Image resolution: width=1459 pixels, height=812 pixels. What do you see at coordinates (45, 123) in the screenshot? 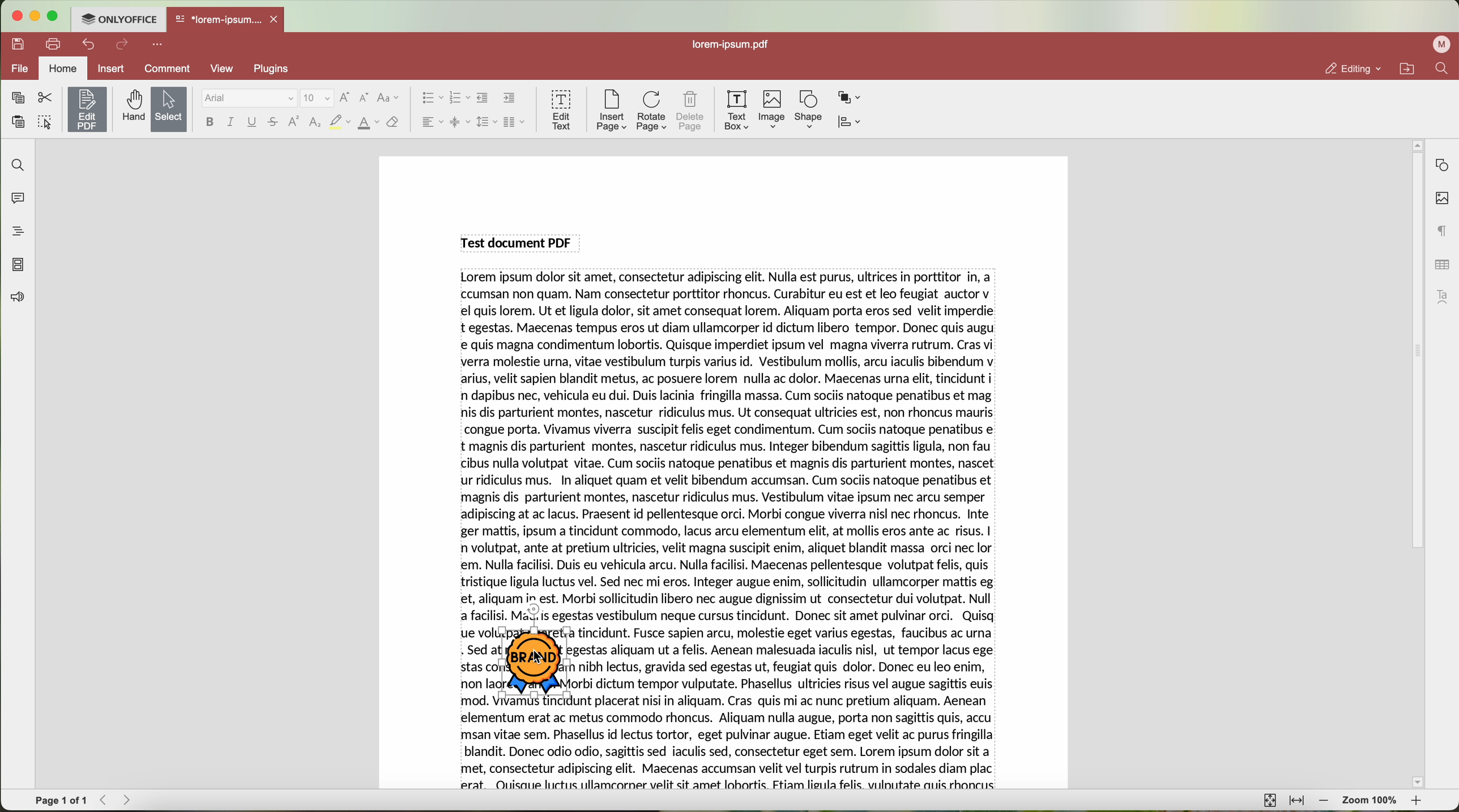
I see `select all` at bounding box center [45, 123].